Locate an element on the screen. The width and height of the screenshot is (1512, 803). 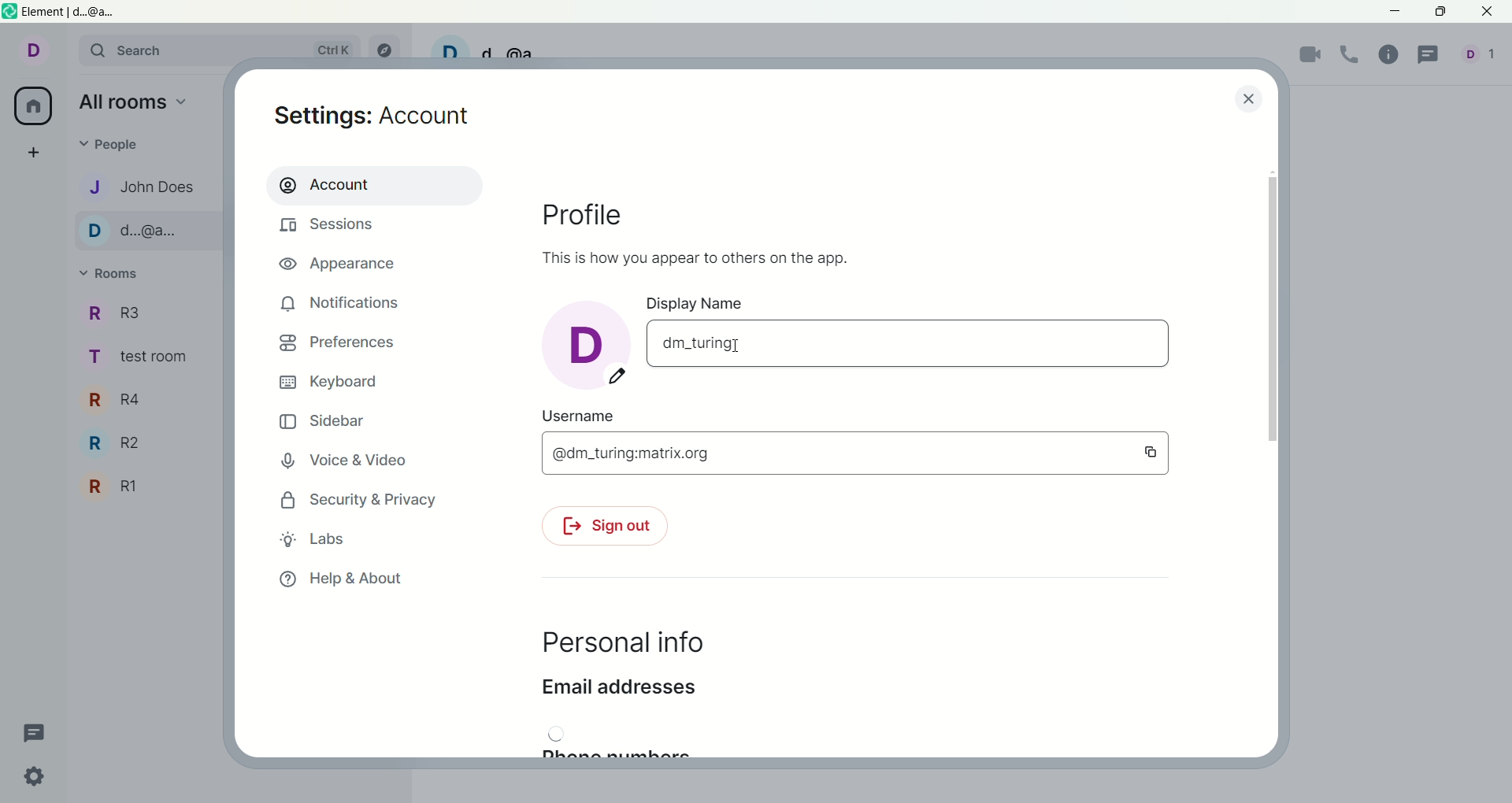
preferences is located at coordinates (337, 346).